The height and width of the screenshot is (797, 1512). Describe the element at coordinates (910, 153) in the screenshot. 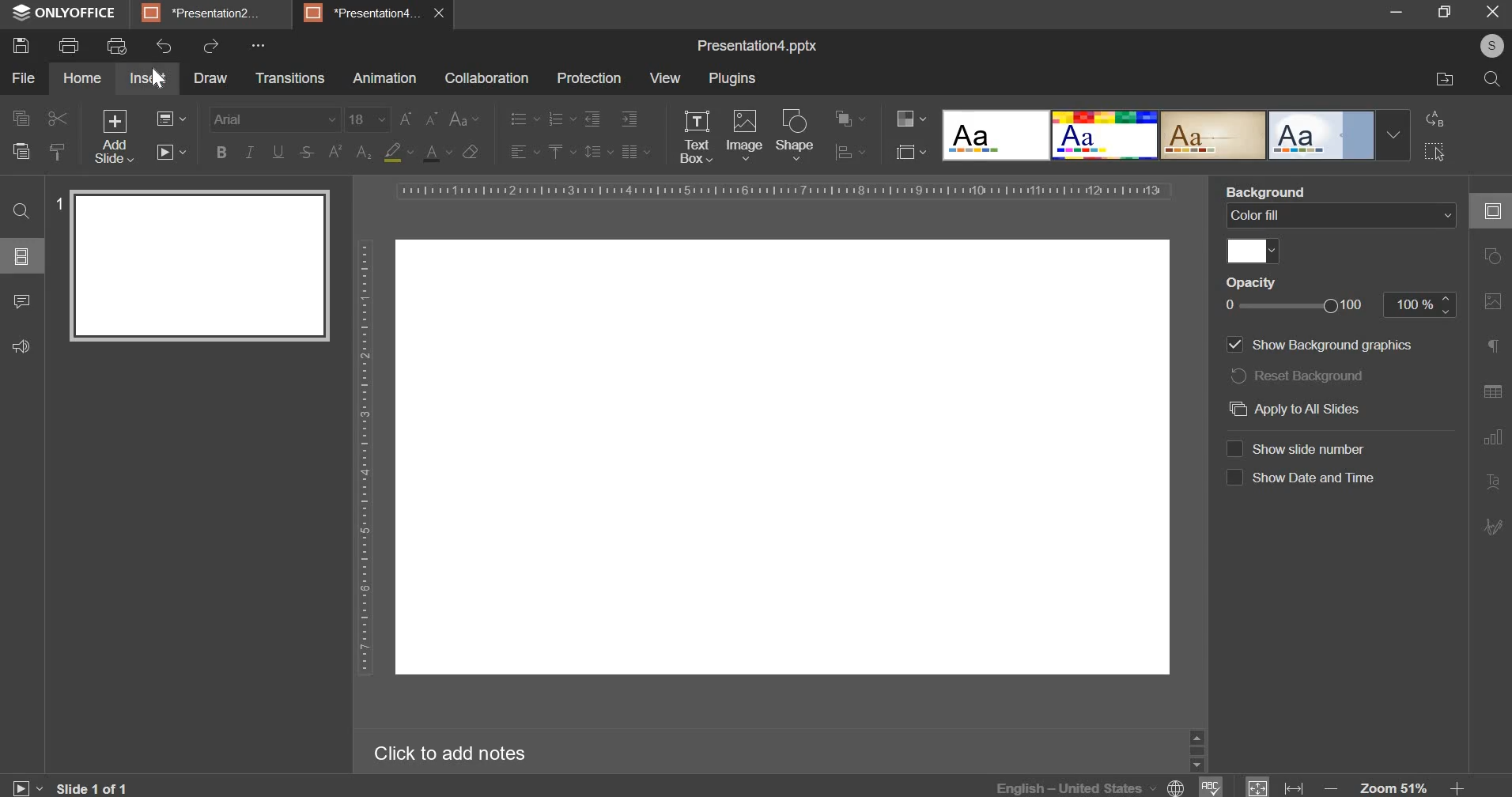

I see `select slide size` at that location.